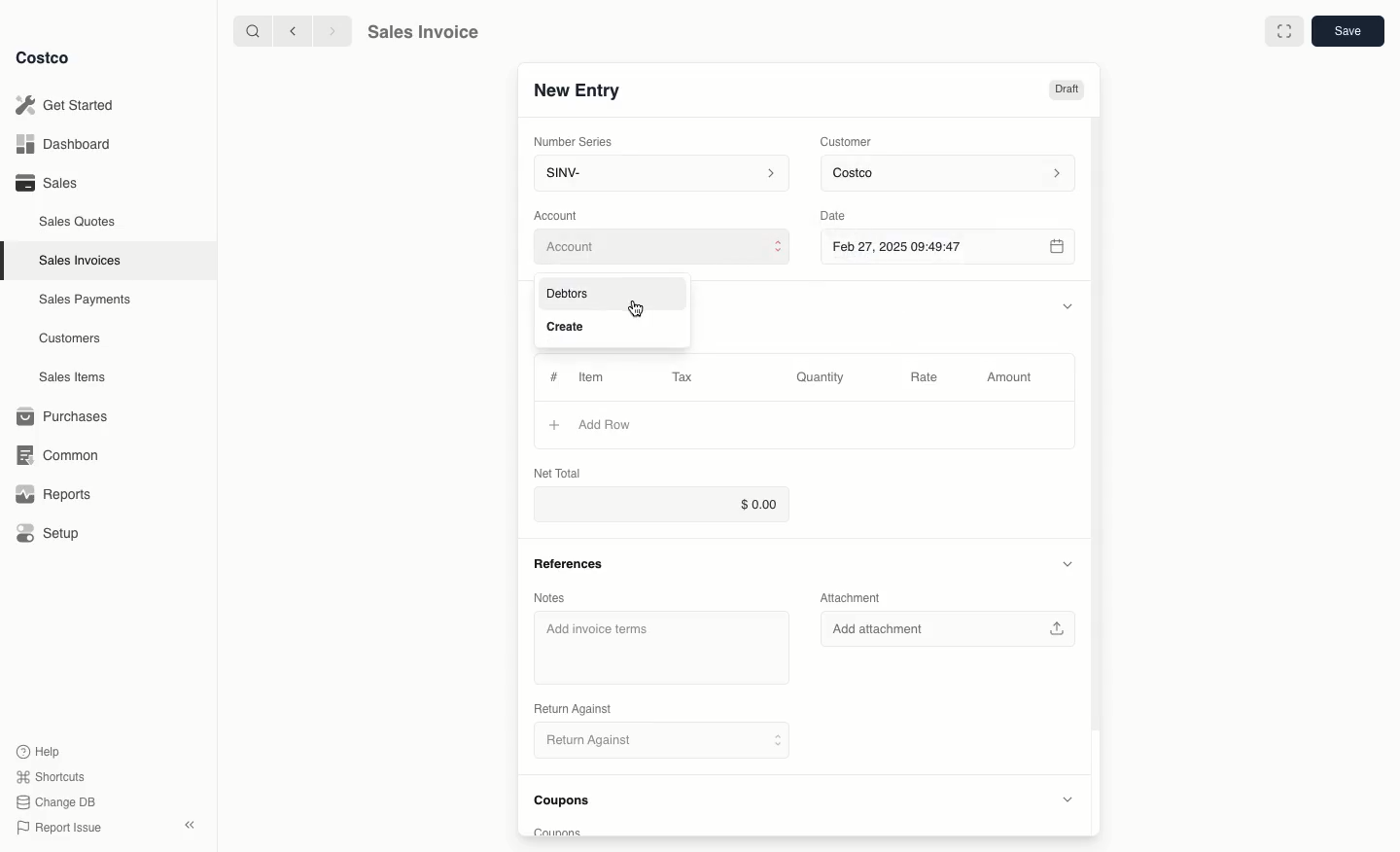  Describe the element at coordinates (50, 775) in the screenshot. I see `Shortcuts` at that location.